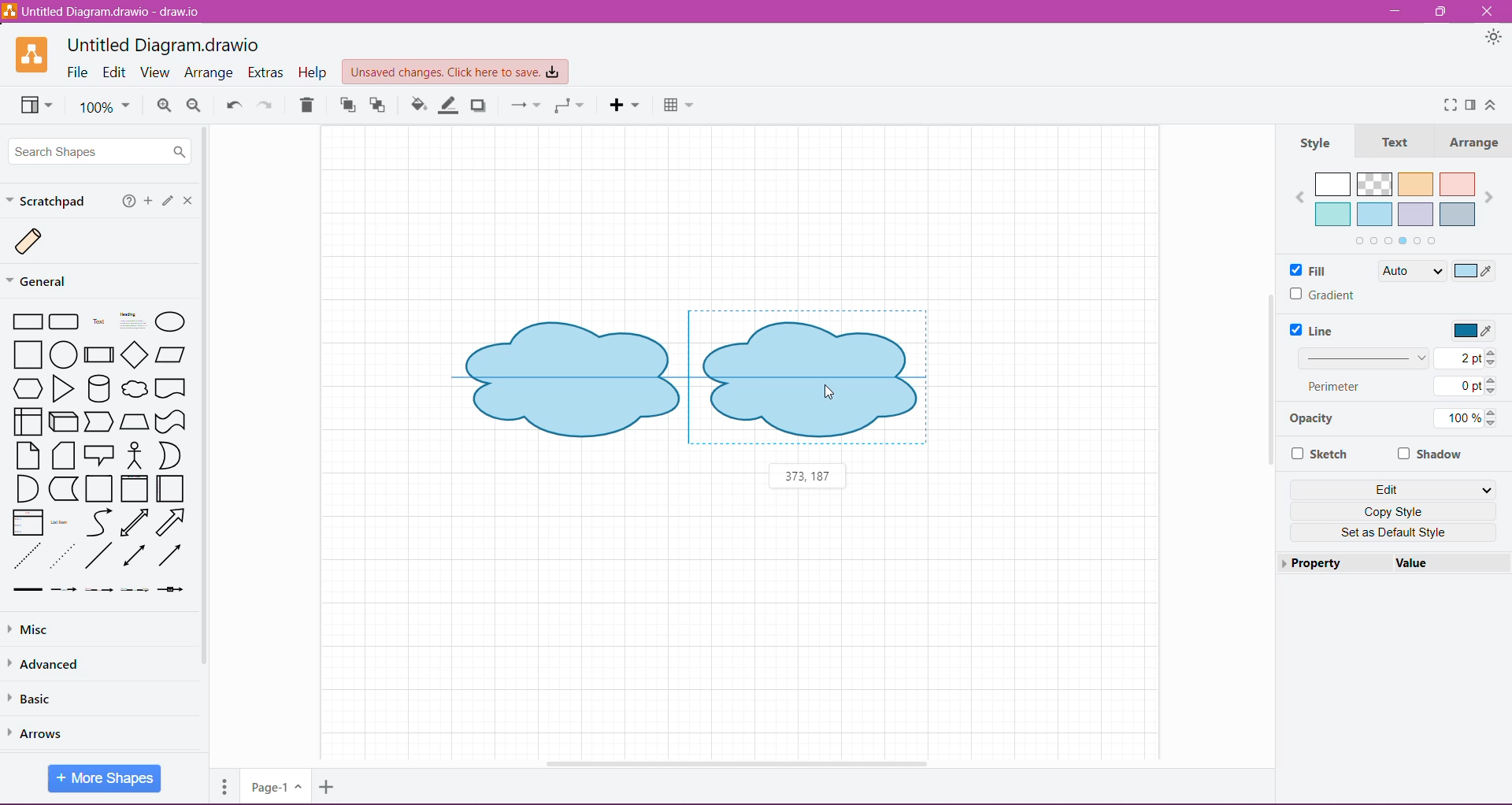  What do you see at coordinates (1475, 332) in the screenshot?
I see `Select Line Color` at bounding box center [1475, 332].